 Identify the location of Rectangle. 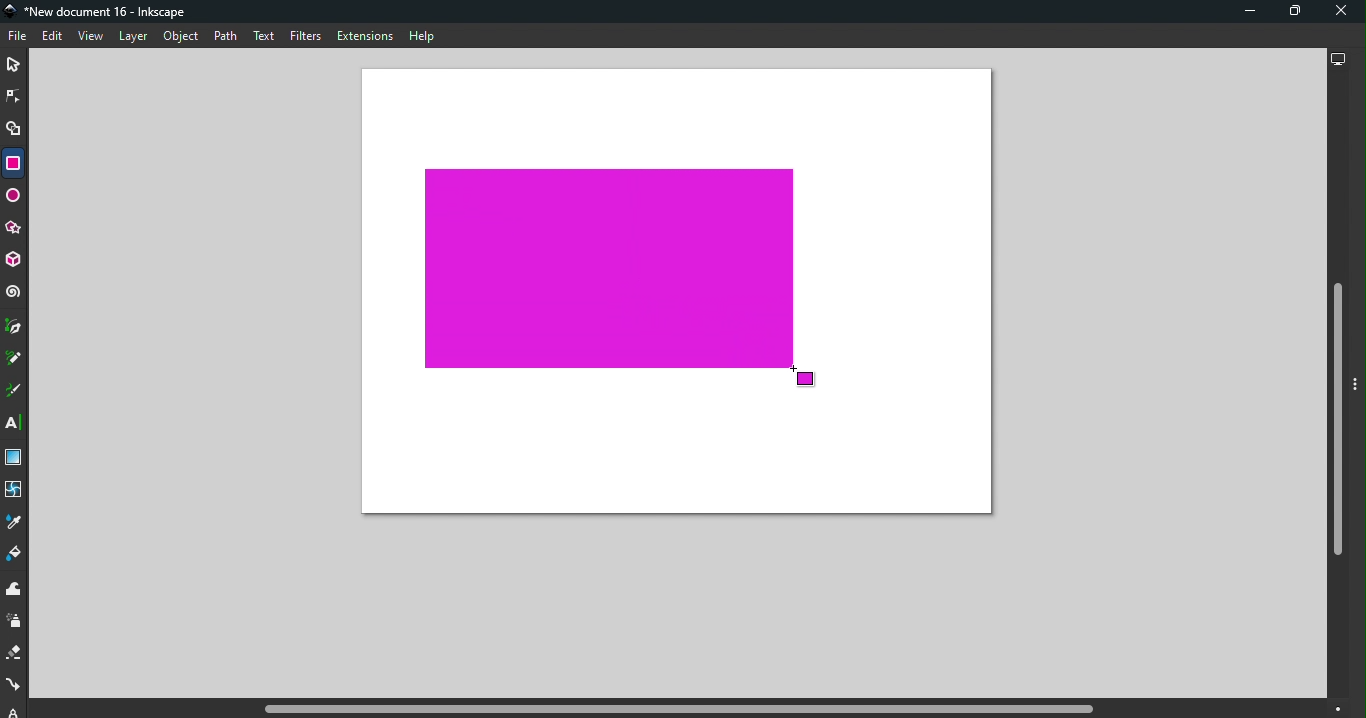
(609, 270).